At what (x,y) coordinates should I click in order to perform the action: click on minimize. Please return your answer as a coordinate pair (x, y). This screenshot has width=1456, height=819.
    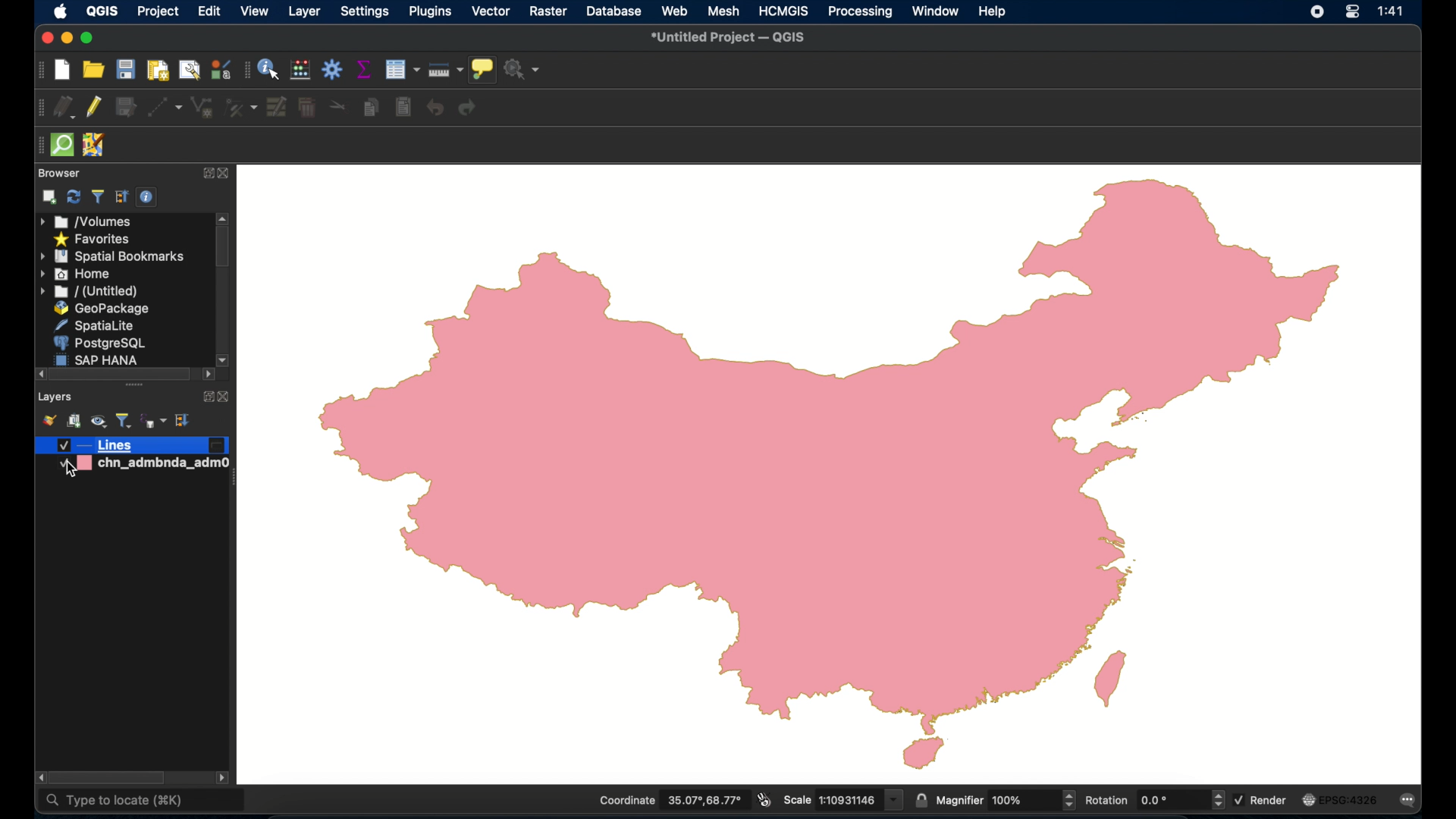
    Looking at the image, I should click on (68, 39).